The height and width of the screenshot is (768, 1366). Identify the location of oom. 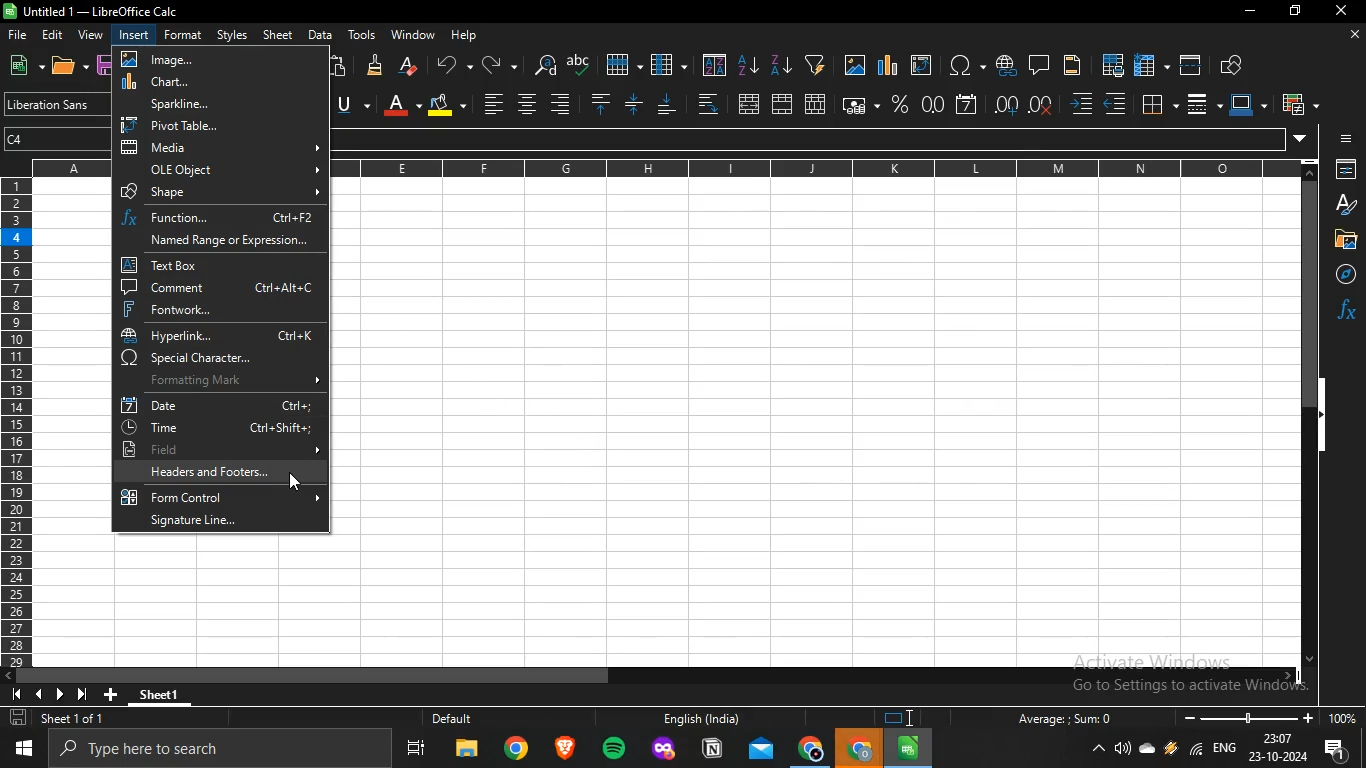
(1268, 716).